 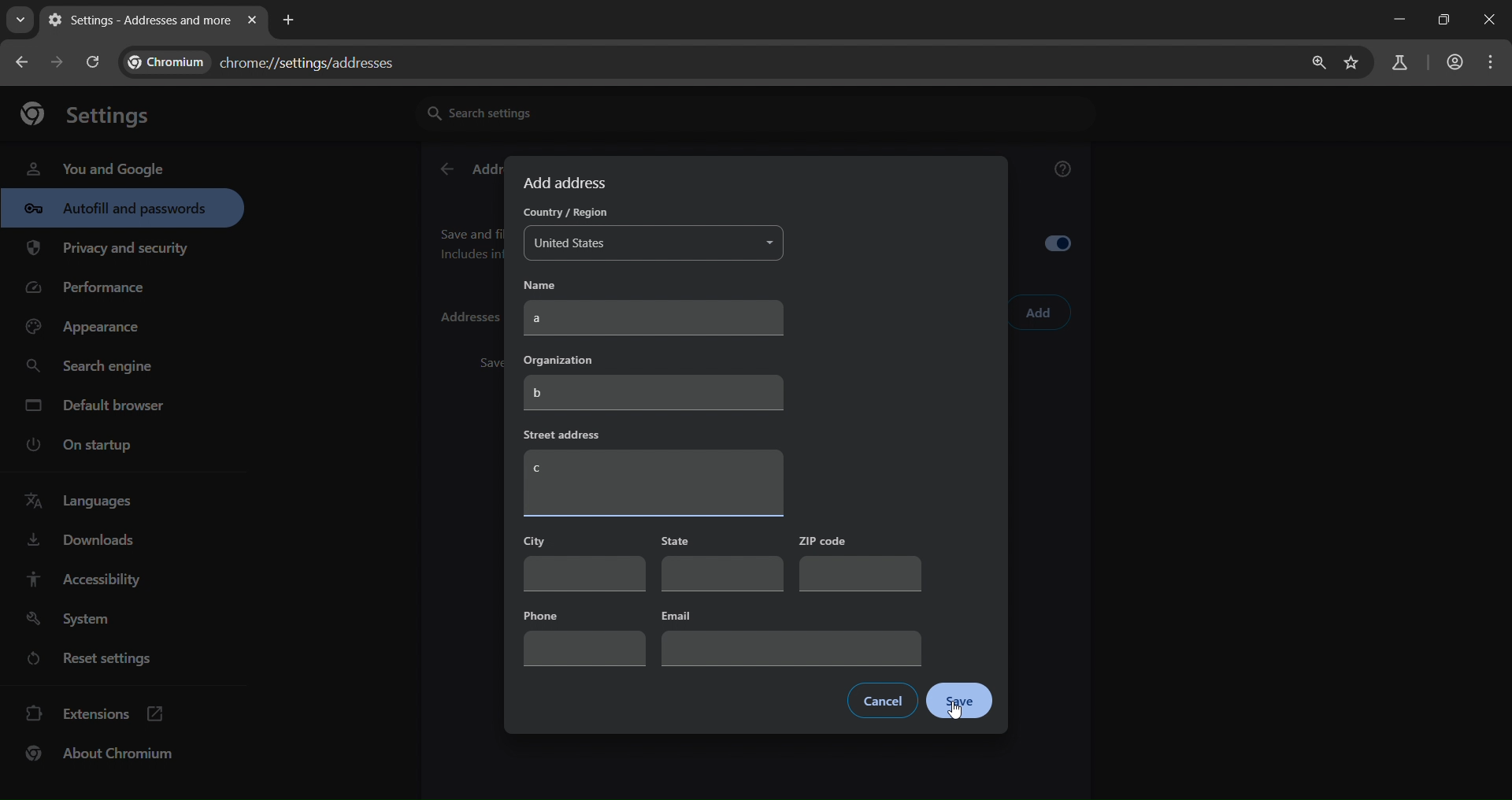 What do you see at coordinates (1030, 323) in the screenshot?
I see `cursor` at bounding box center [1030, 323].